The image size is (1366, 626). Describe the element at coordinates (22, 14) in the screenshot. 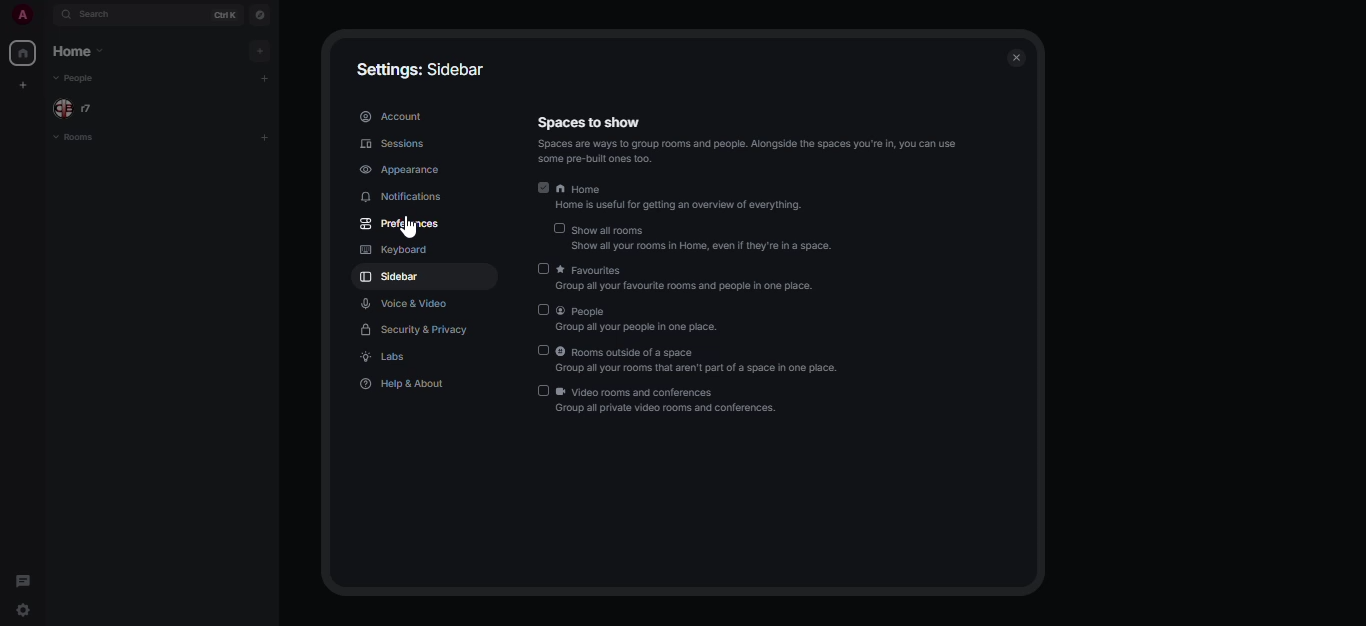

I see `profile` at that location.